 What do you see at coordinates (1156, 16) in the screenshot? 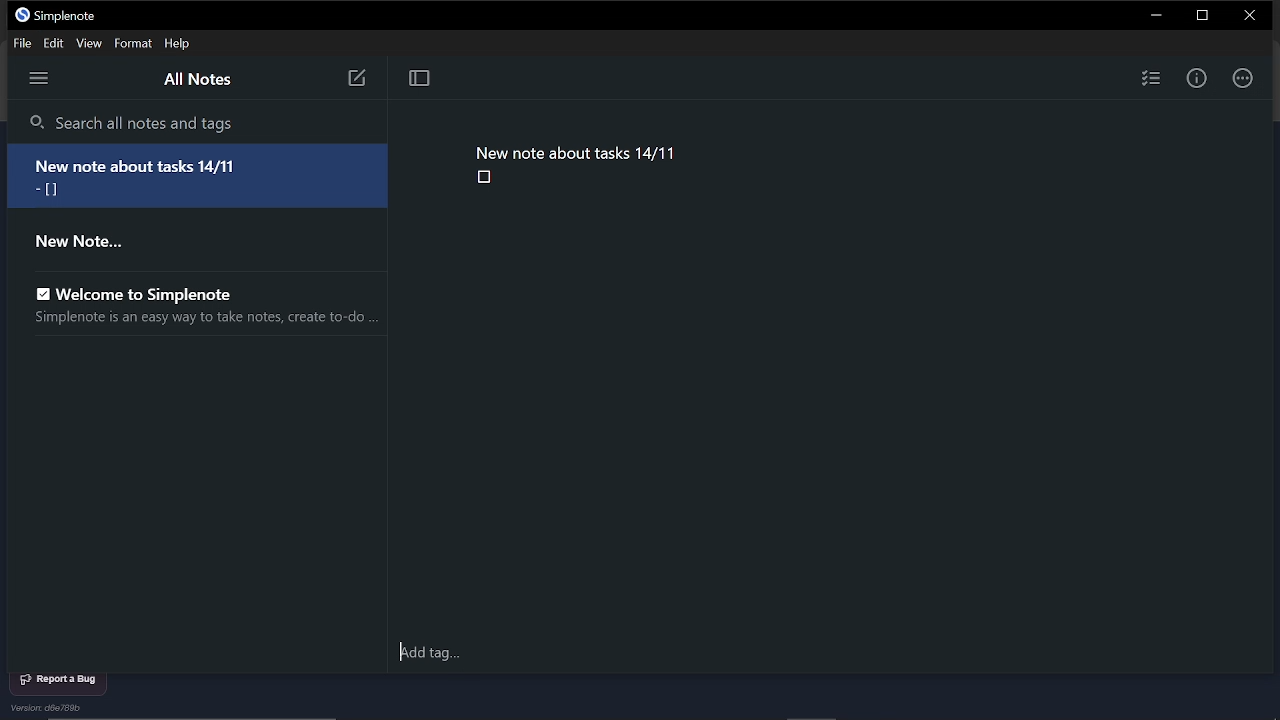
I see `Minimize` at bounding box center [1156, 16].